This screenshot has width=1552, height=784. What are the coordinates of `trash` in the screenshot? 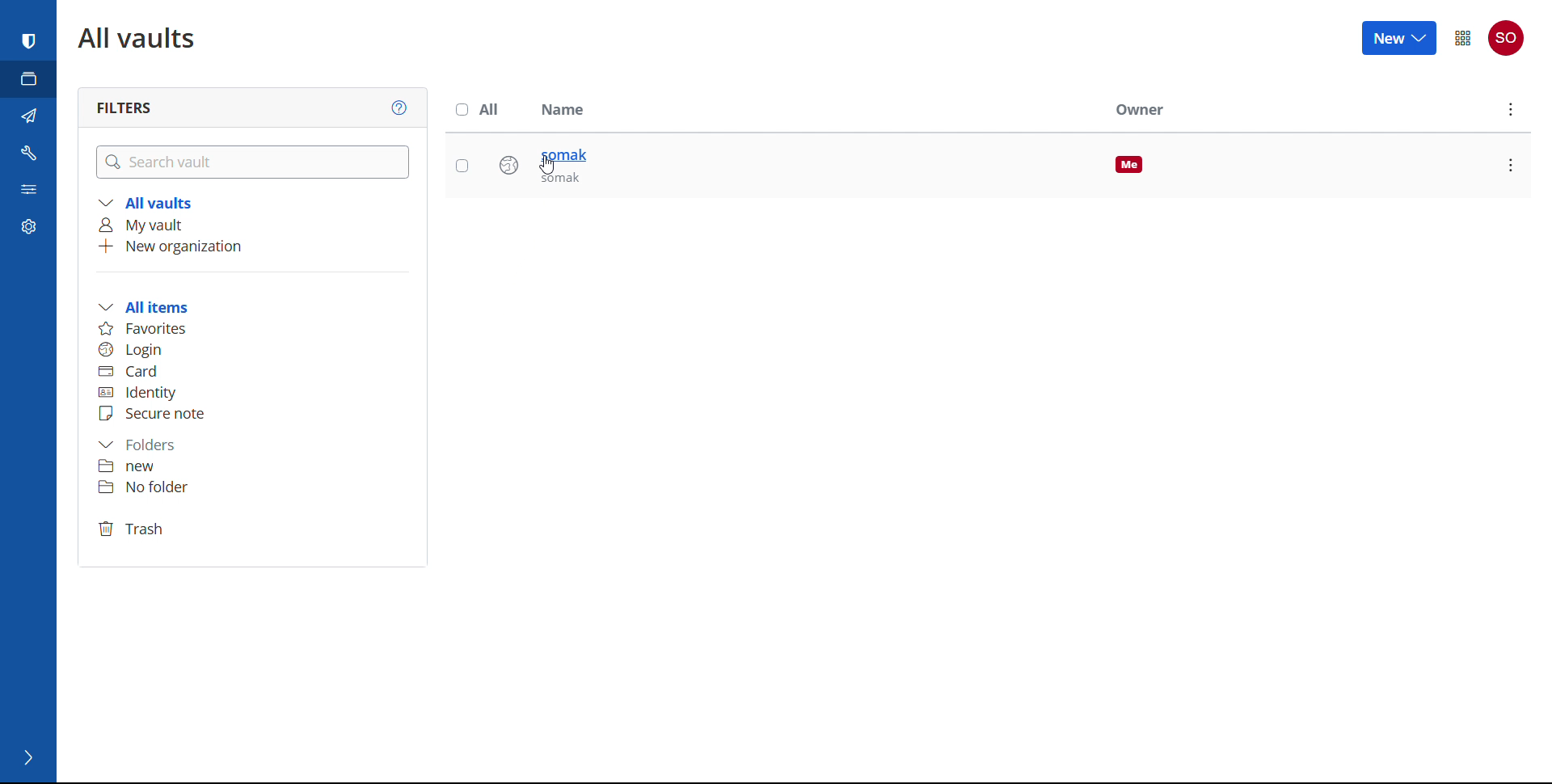 It's located at (249, 532).